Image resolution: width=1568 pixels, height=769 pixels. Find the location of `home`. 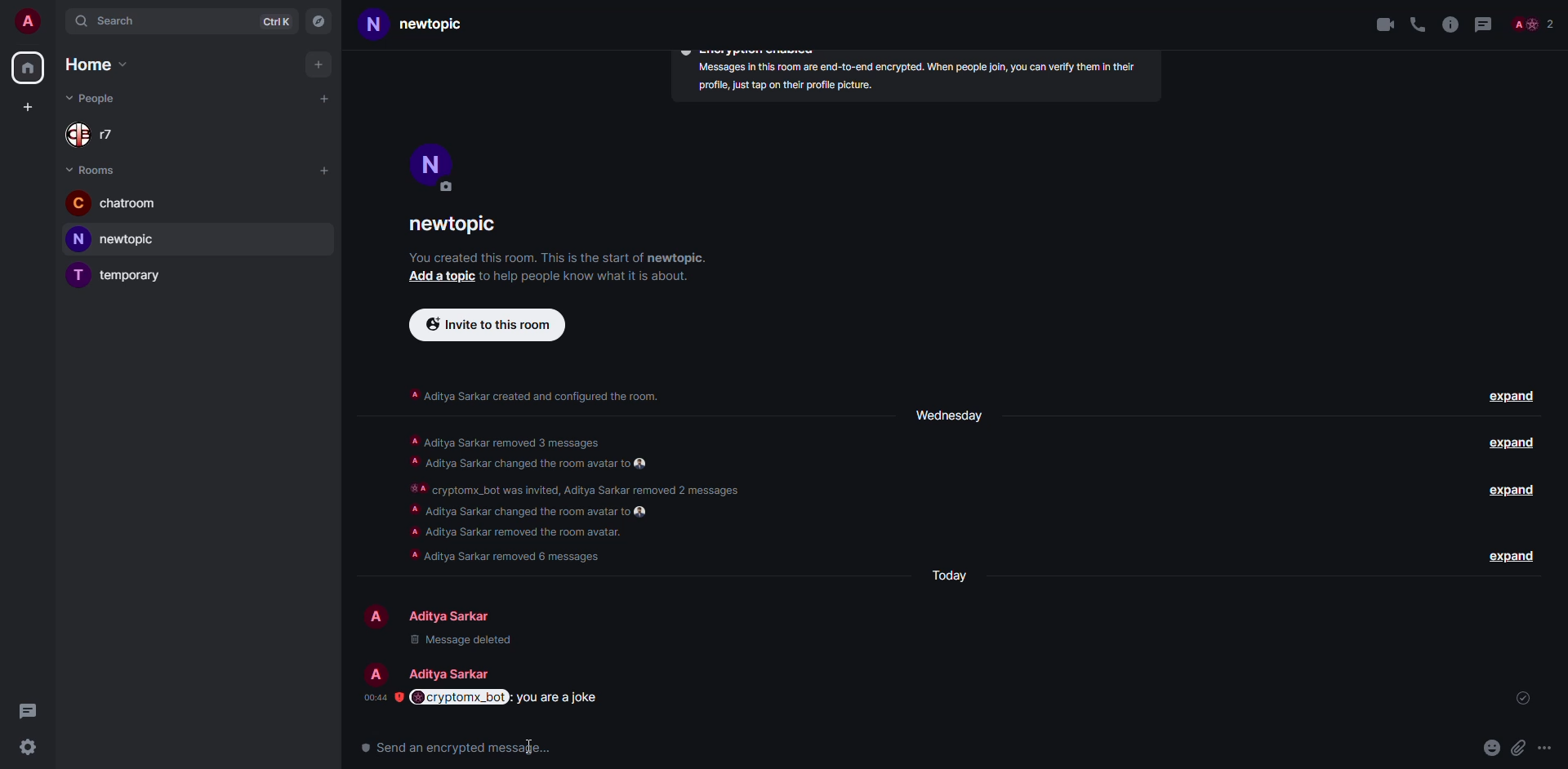

home is located at coordinates (93, 64).